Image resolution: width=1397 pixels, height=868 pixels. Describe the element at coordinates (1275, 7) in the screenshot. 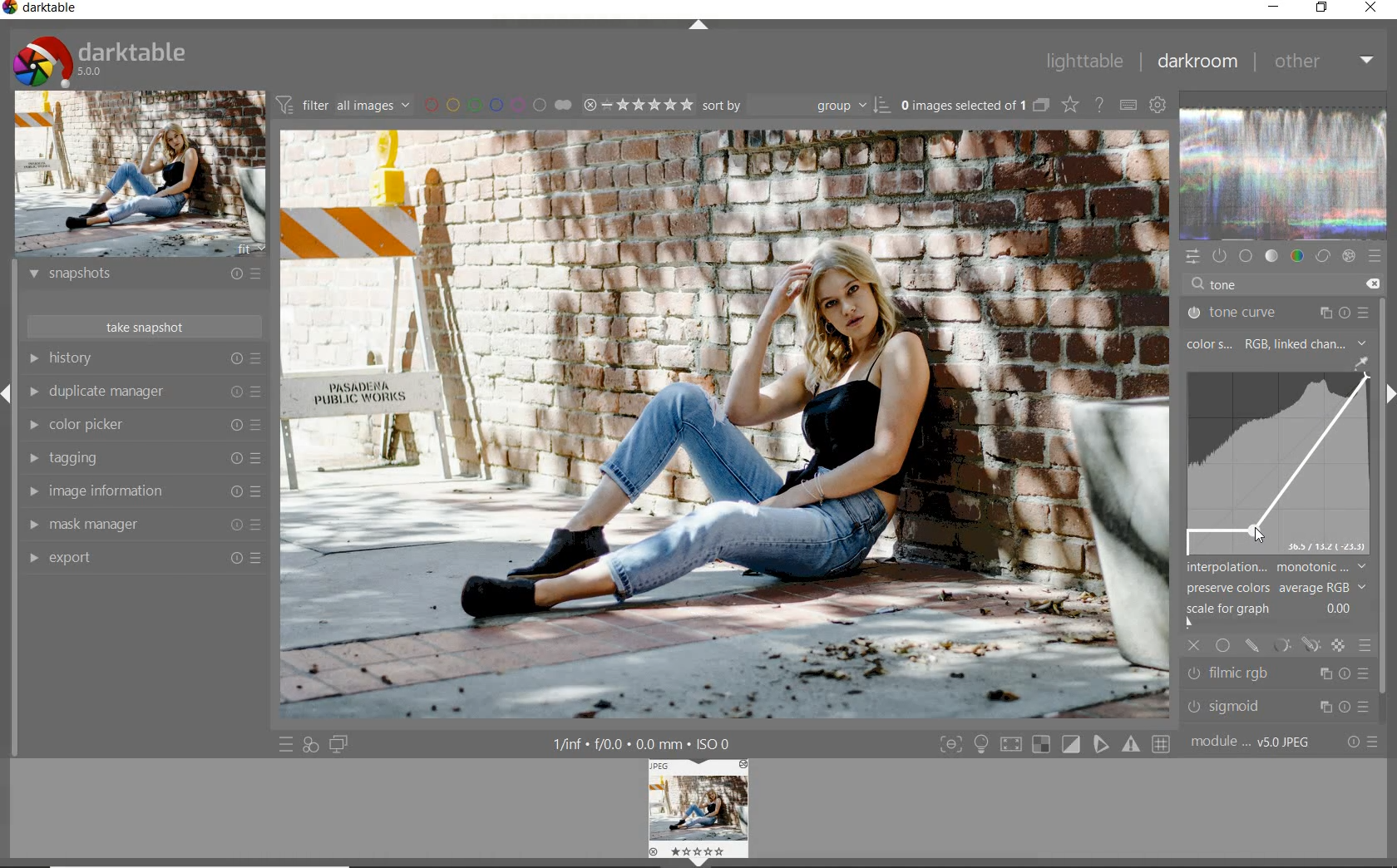

I see `minimize` at that location.